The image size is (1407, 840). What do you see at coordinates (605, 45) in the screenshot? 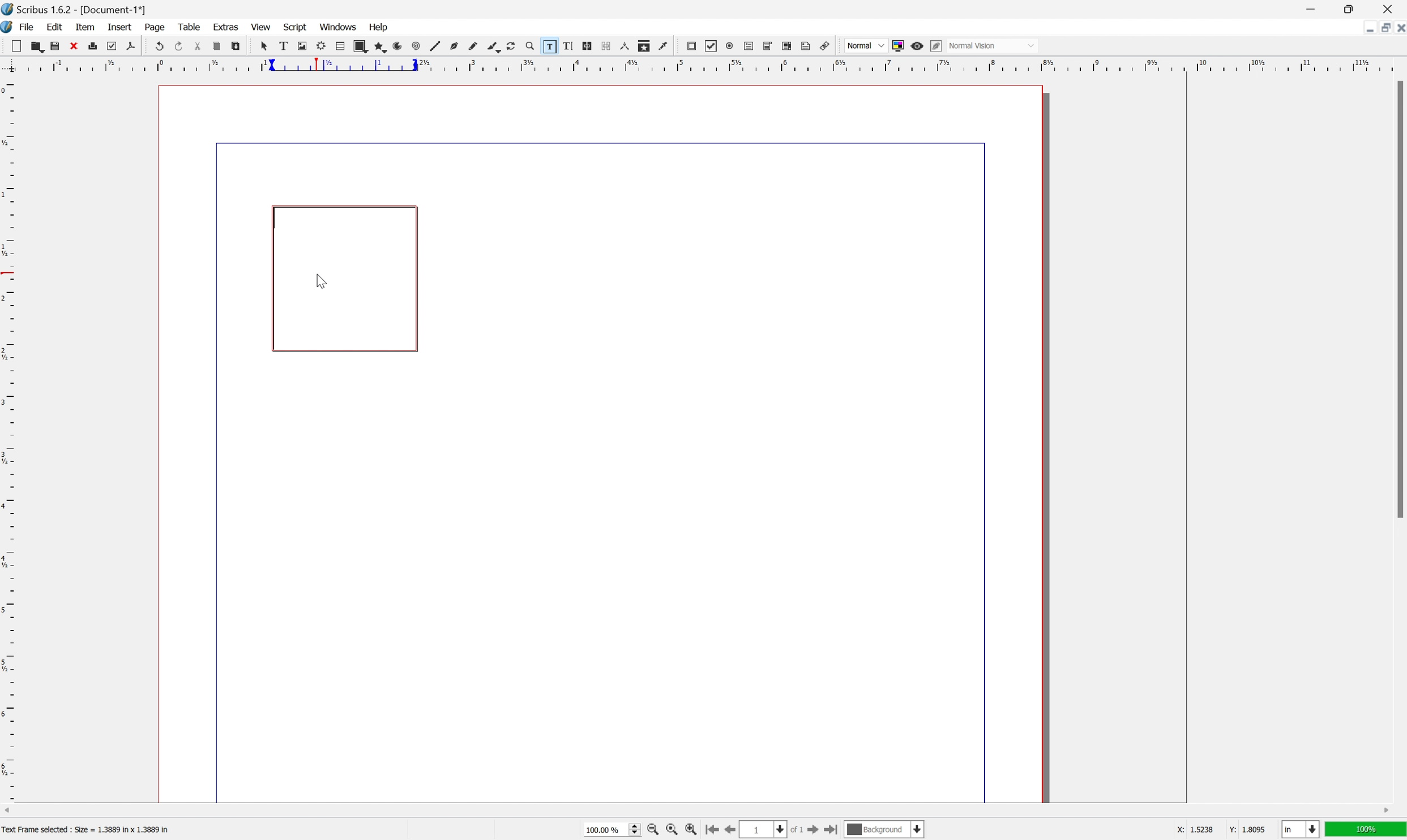
I see `unlink text frames` at bounding box center [605, 45].